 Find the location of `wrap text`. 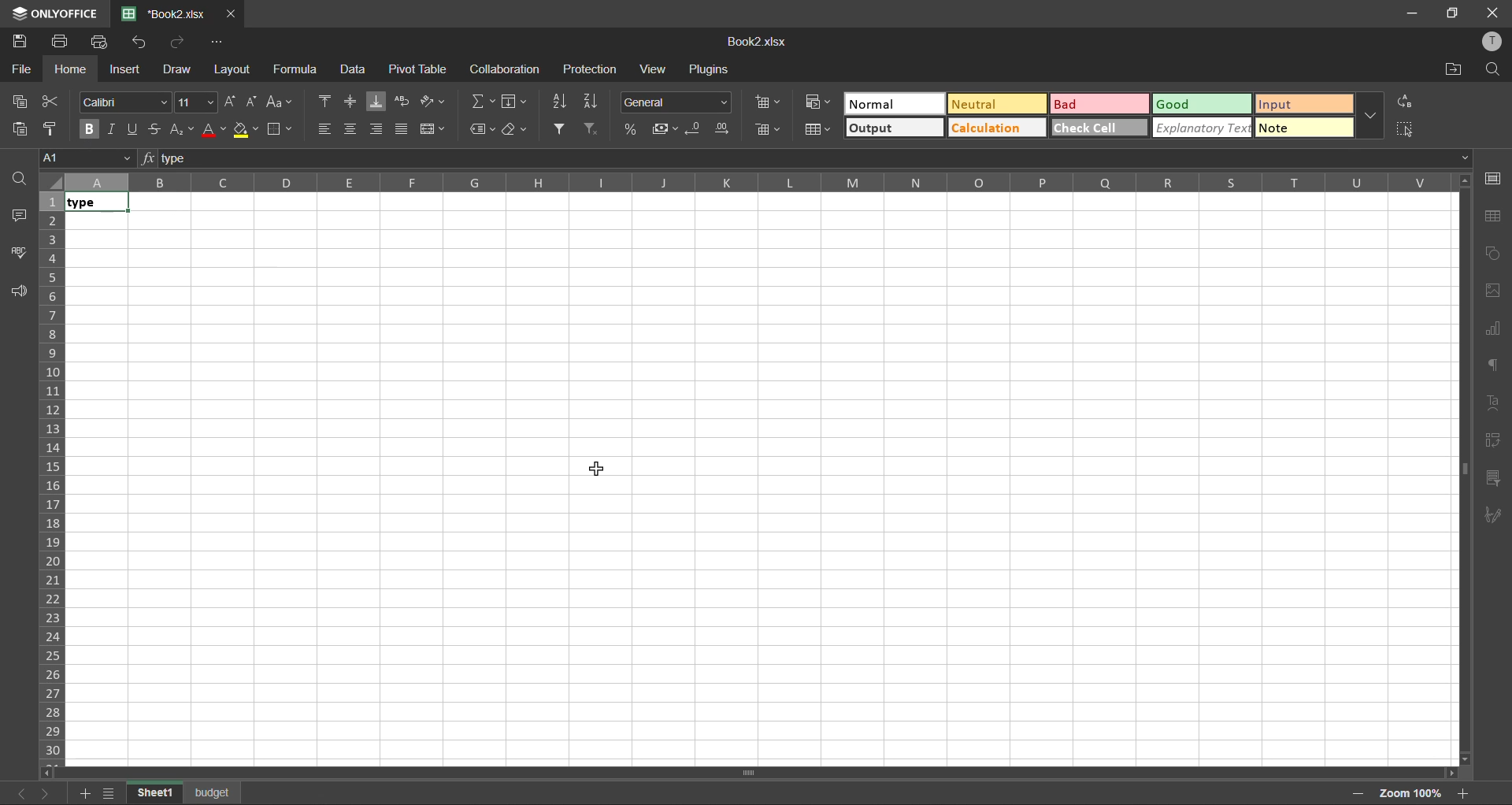

wrap text is located at coordinates (405, 102).